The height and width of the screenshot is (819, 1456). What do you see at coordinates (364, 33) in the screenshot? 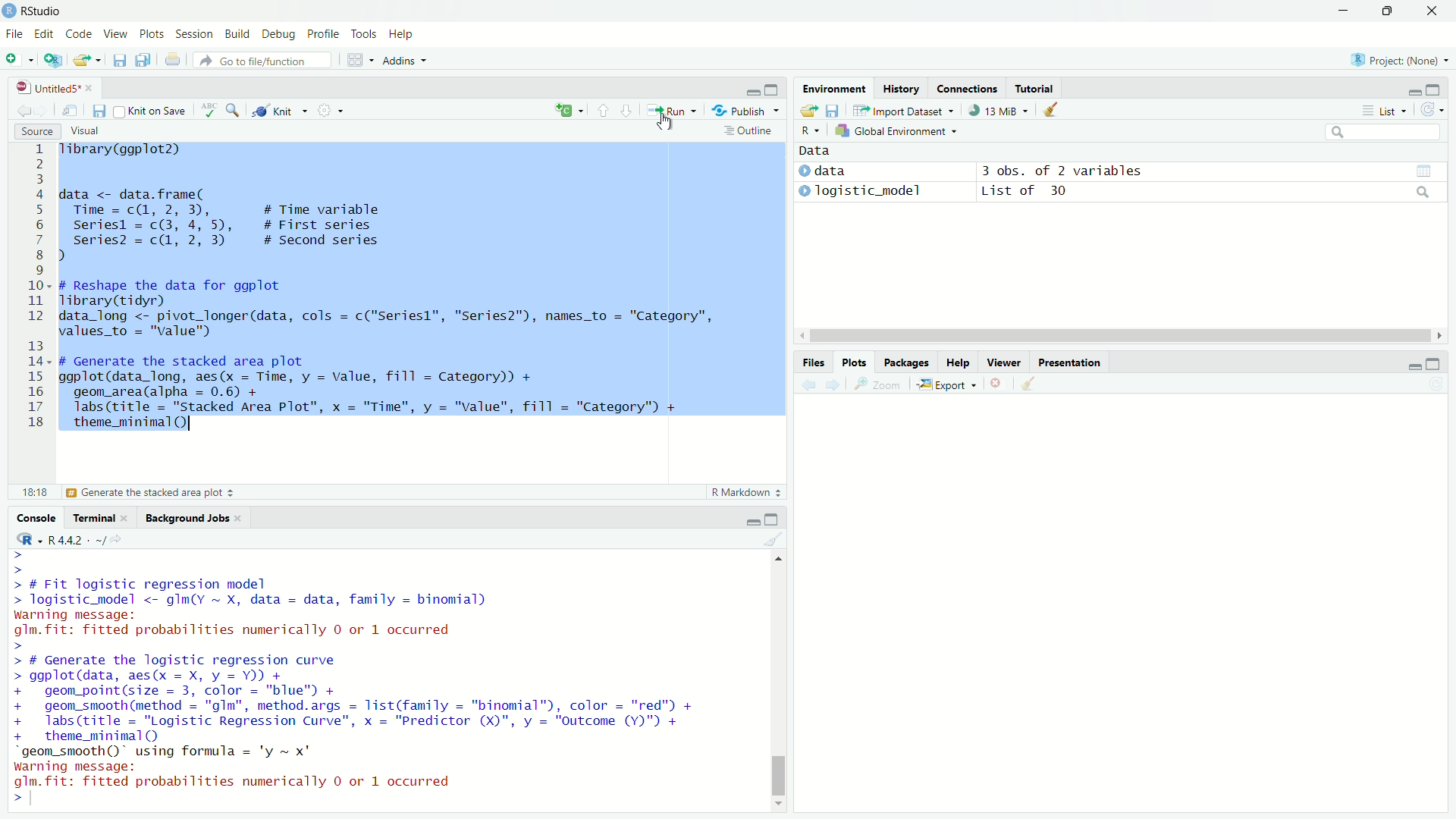
I see `Tools` at bounding box center [364, 33].